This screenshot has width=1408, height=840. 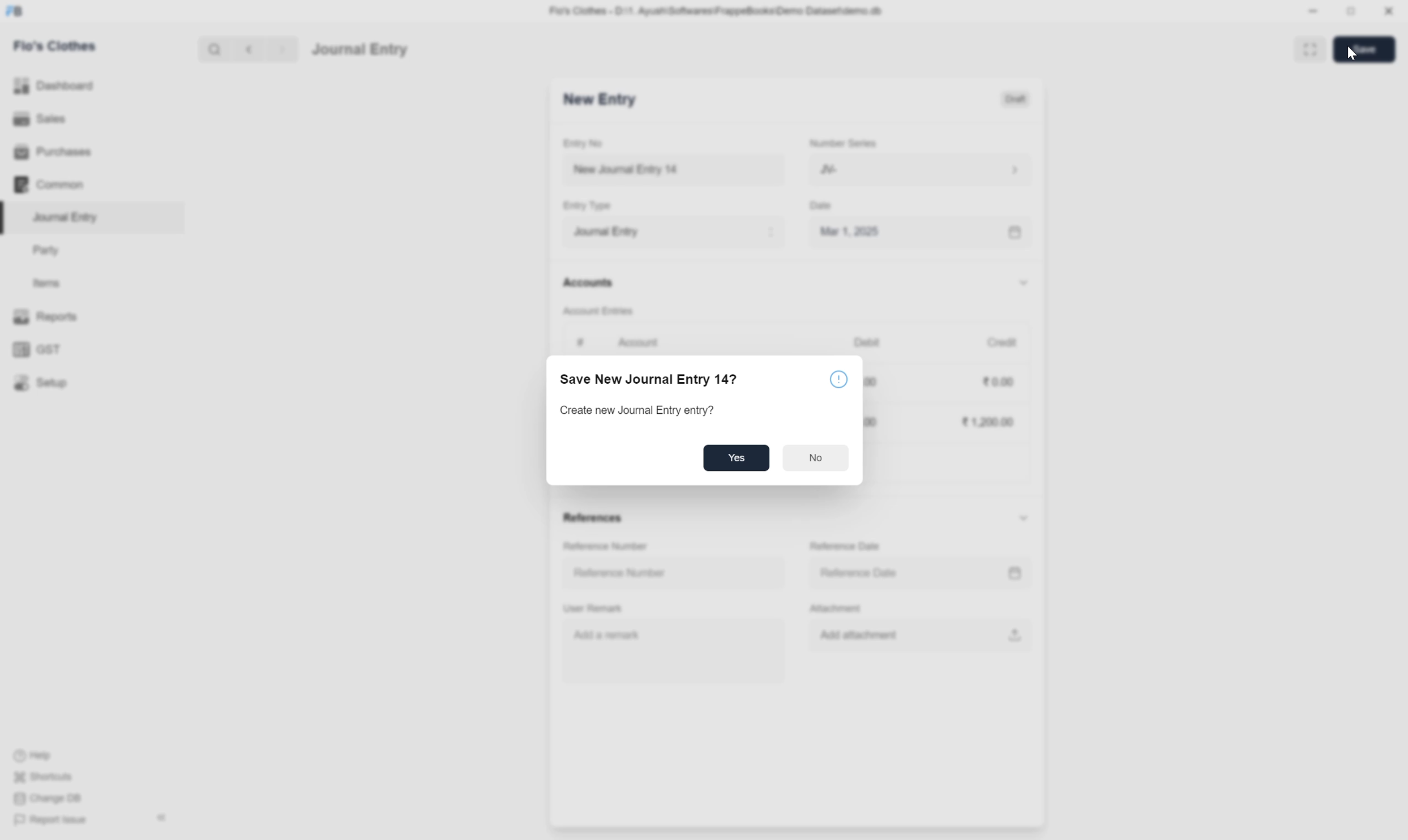 I want to click on User Remark, so click(x=595, y=609).